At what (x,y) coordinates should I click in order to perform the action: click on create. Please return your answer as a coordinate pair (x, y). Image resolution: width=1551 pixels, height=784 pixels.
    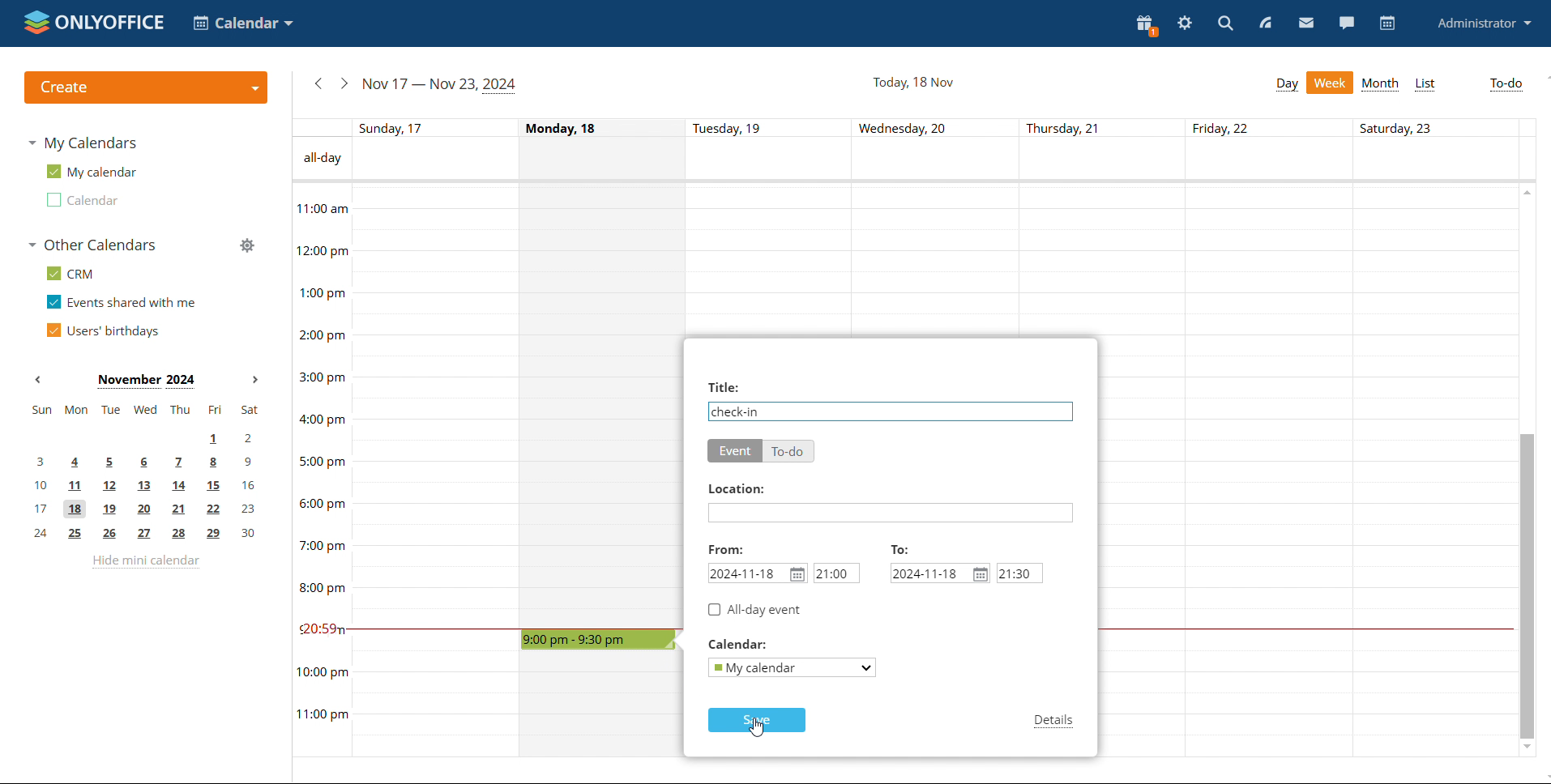
    Looking at the image, I should click on (147, 88).